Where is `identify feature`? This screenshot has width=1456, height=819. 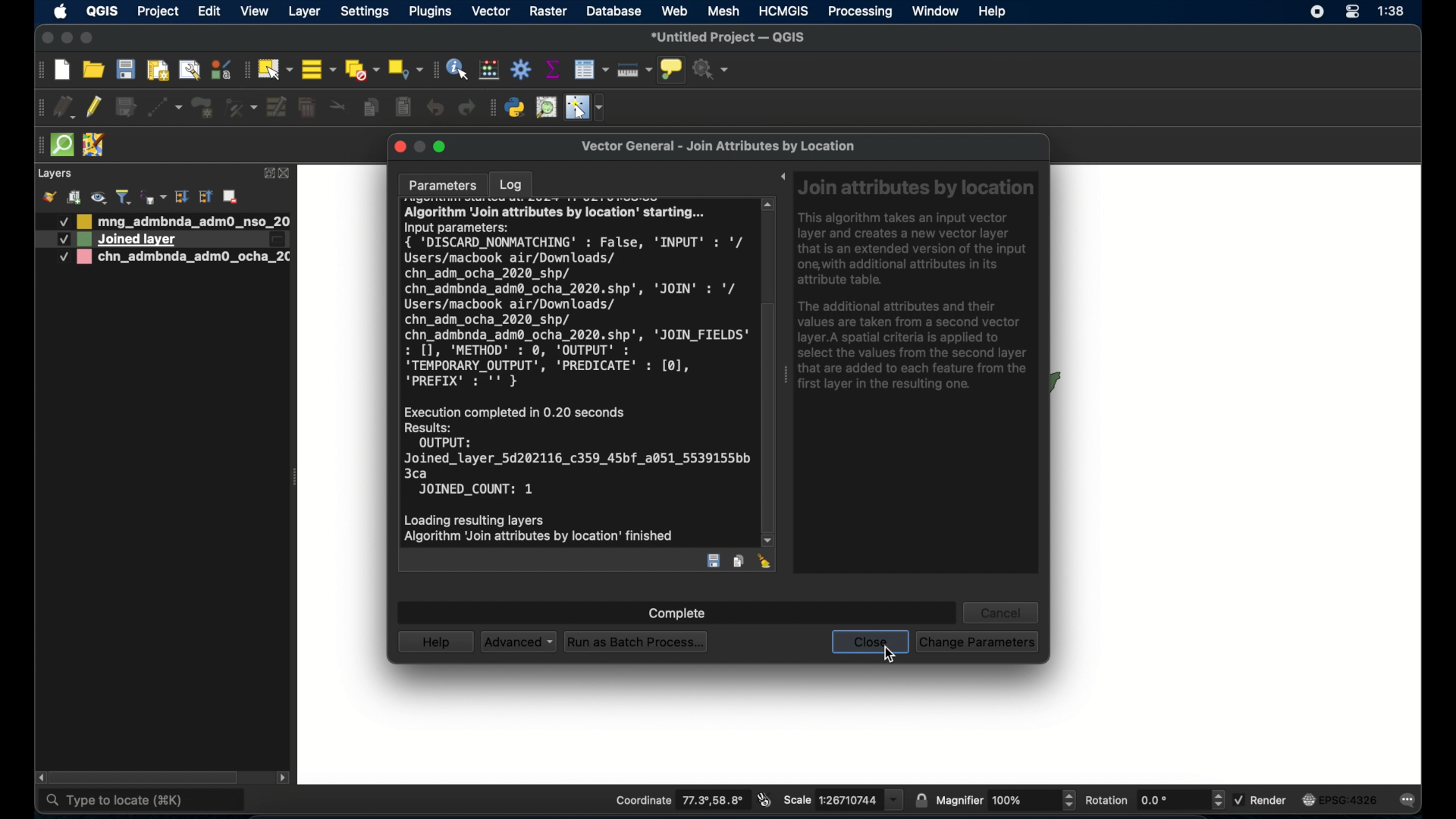
identify feature is located at coordinates (457, 69).